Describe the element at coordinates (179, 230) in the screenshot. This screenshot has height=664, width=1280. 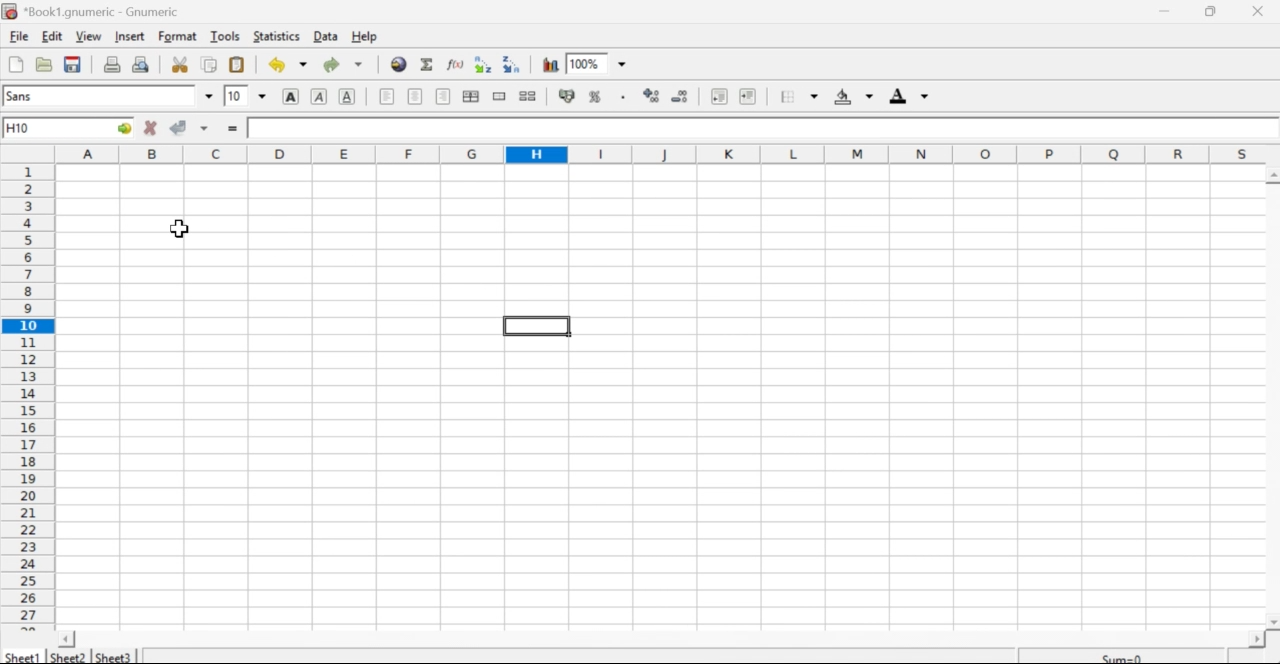
I see `cursor` at that location.